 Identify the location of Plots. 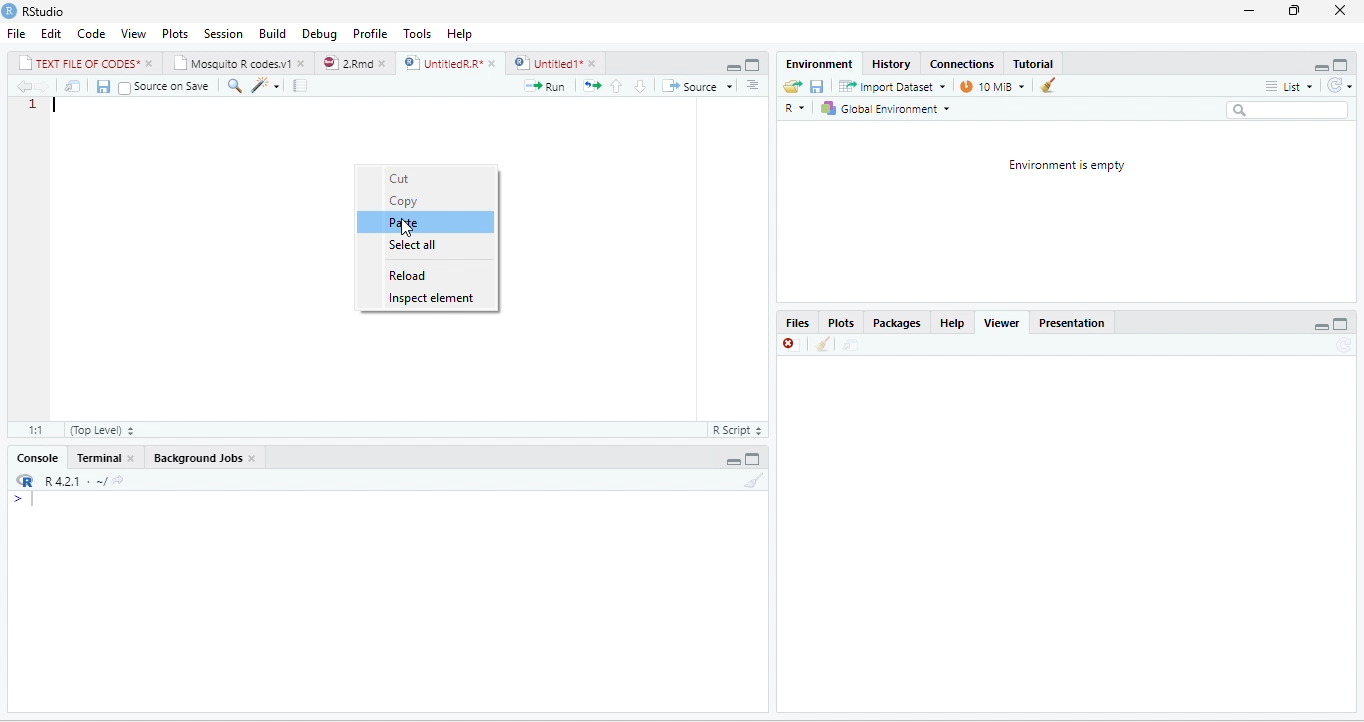
(845, 323).